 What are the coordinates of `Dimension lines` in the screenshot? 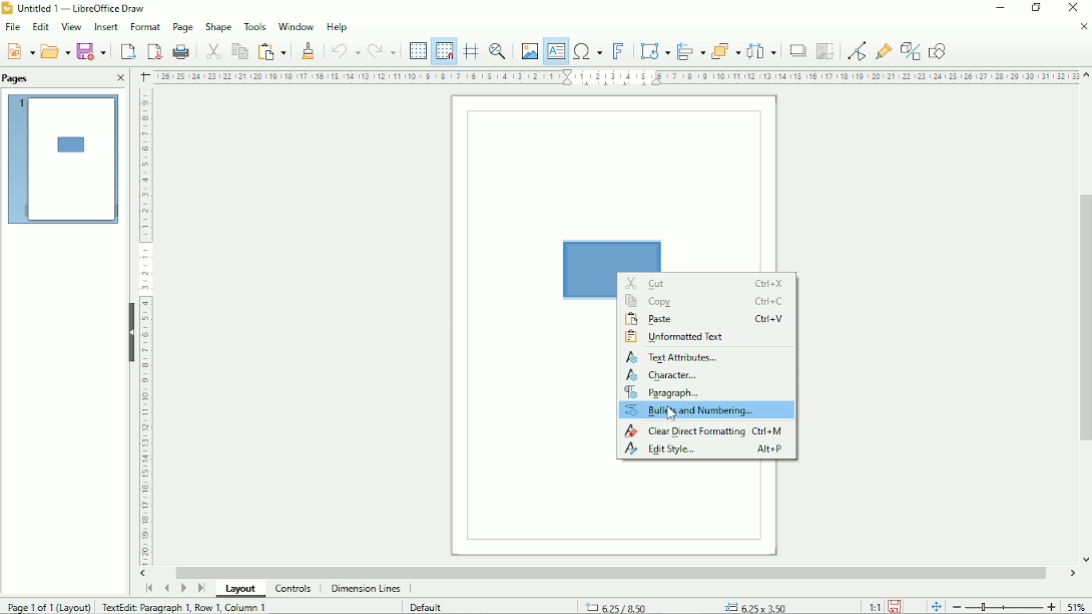 It's located at (366, 588).